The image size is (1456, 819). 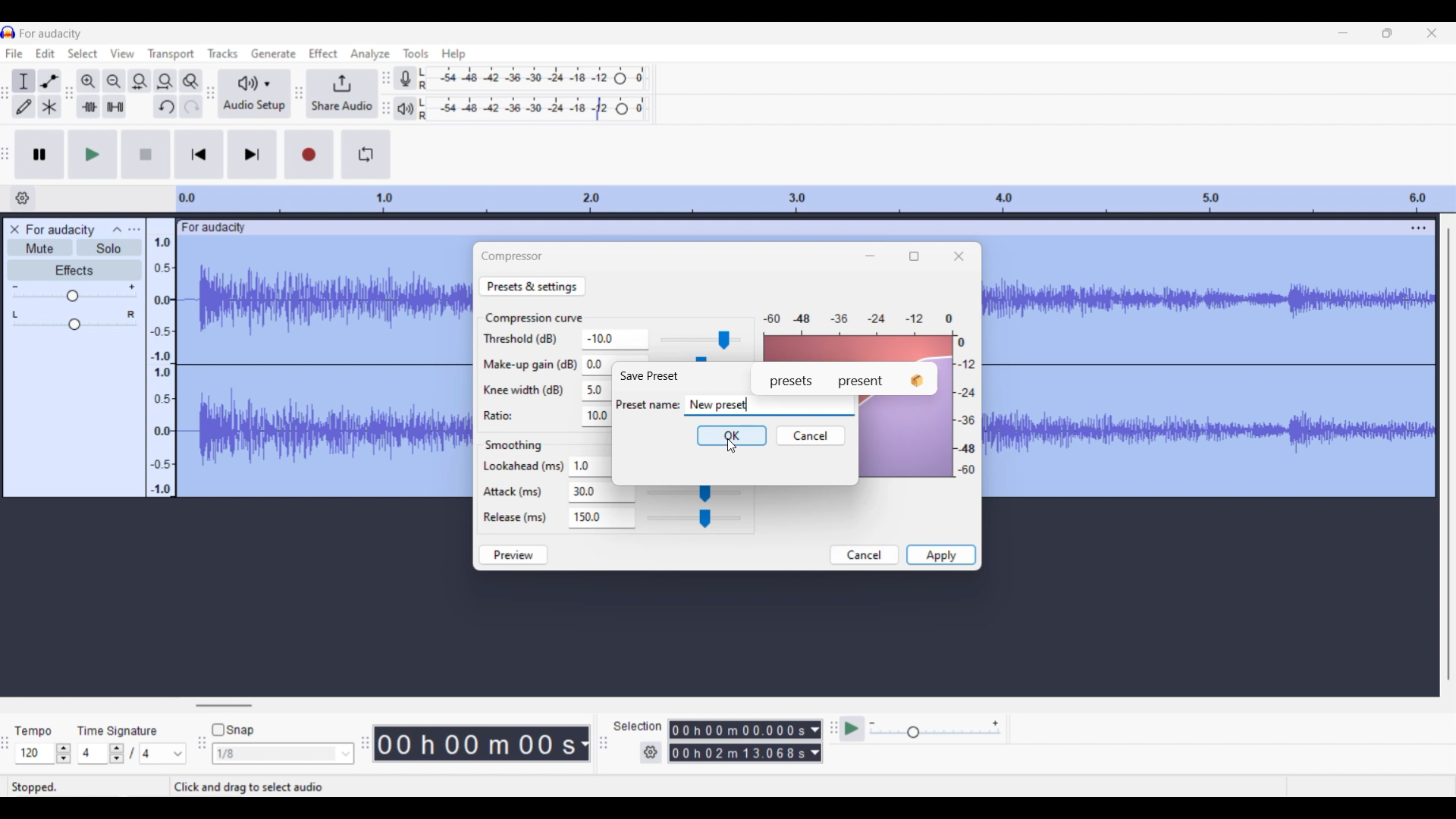 I want to click on Text boxe to type in Threshold, so click(x=611, y=339).